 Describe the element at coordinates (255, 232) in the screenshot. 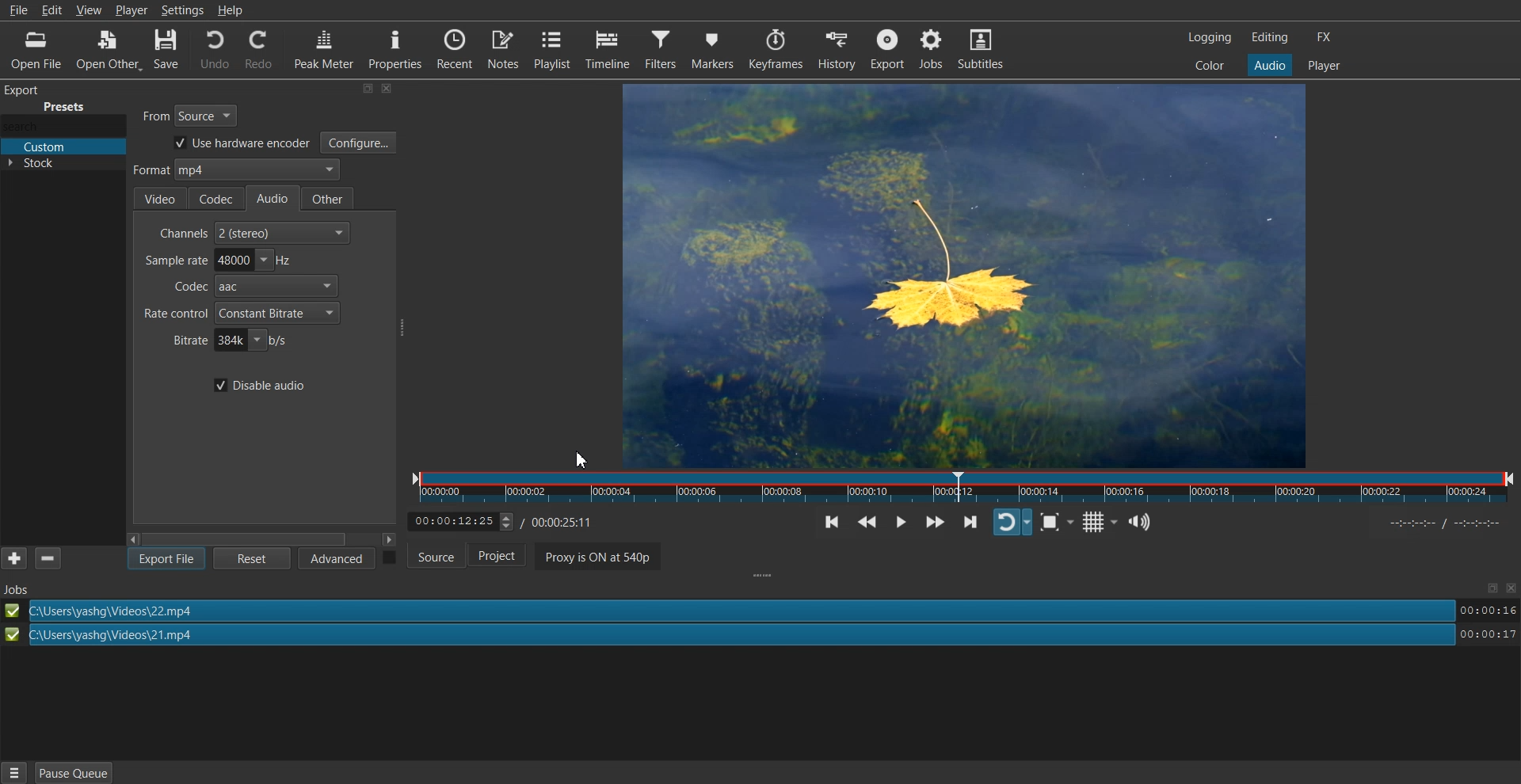

I see `Channel ` at that location.